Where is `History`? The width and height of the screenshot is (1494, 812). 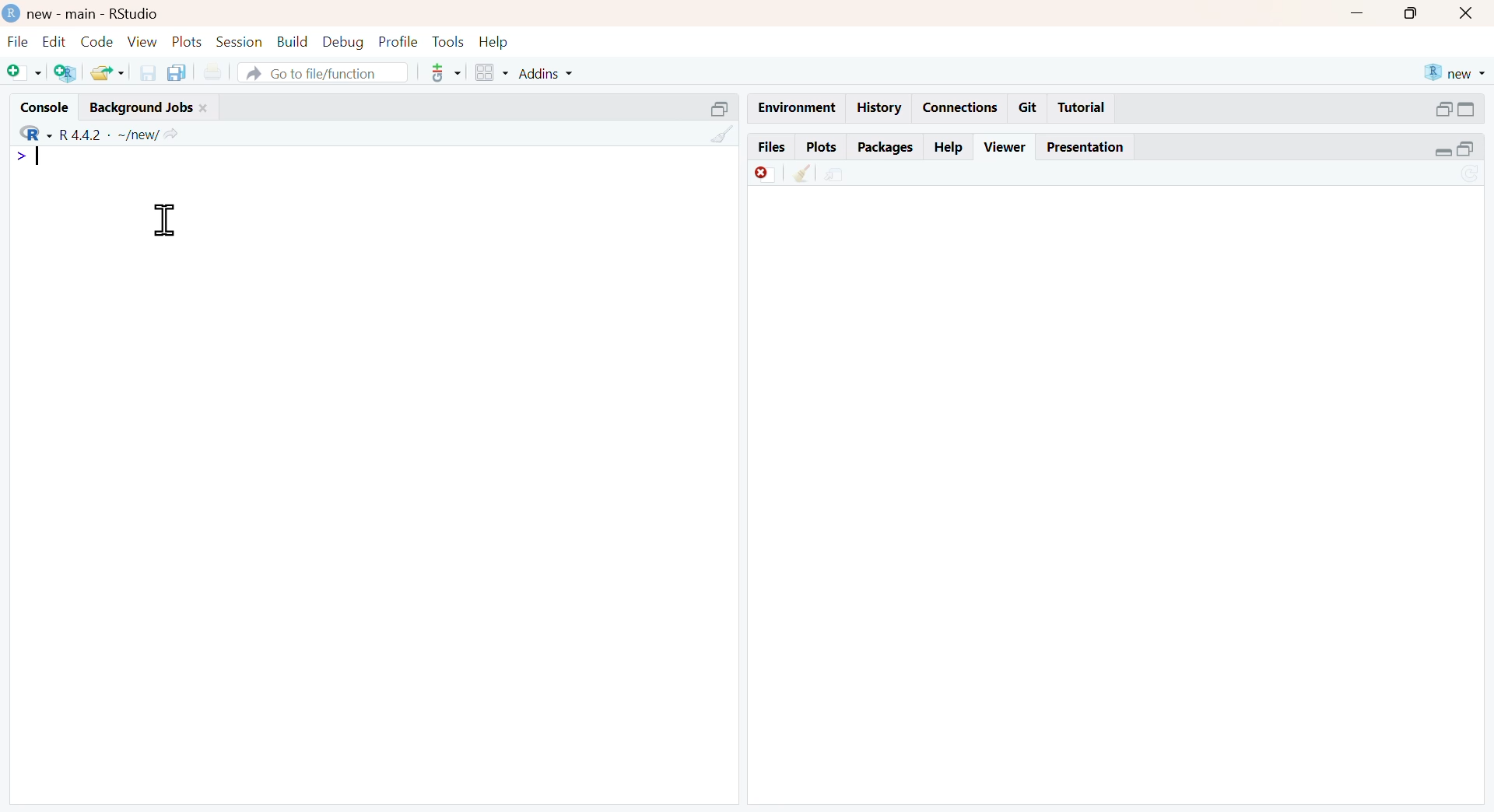 History is located at coordinates (882, 109).